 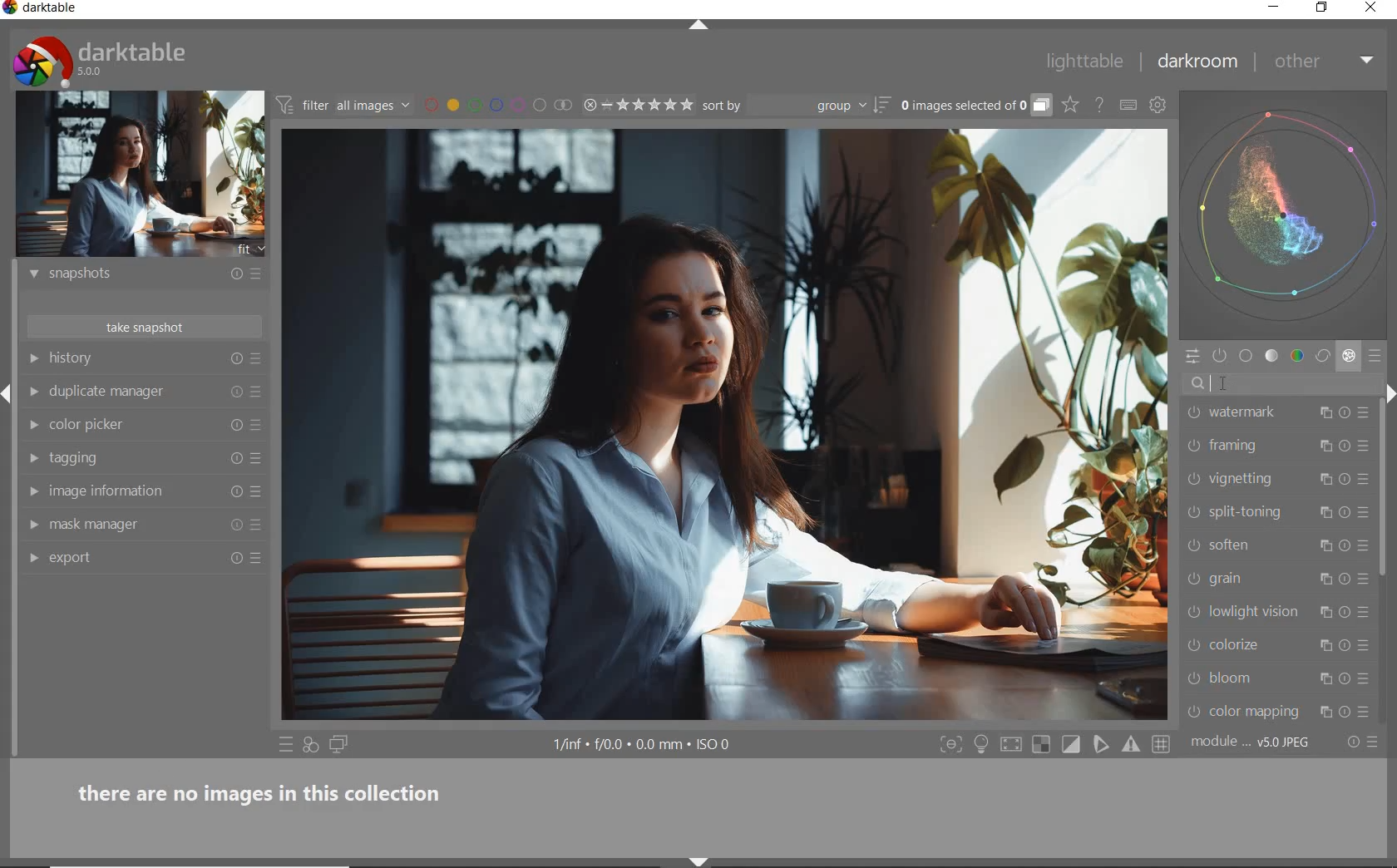 I want to click on set keyboard shortcuts, so click(x=1128, y=105).